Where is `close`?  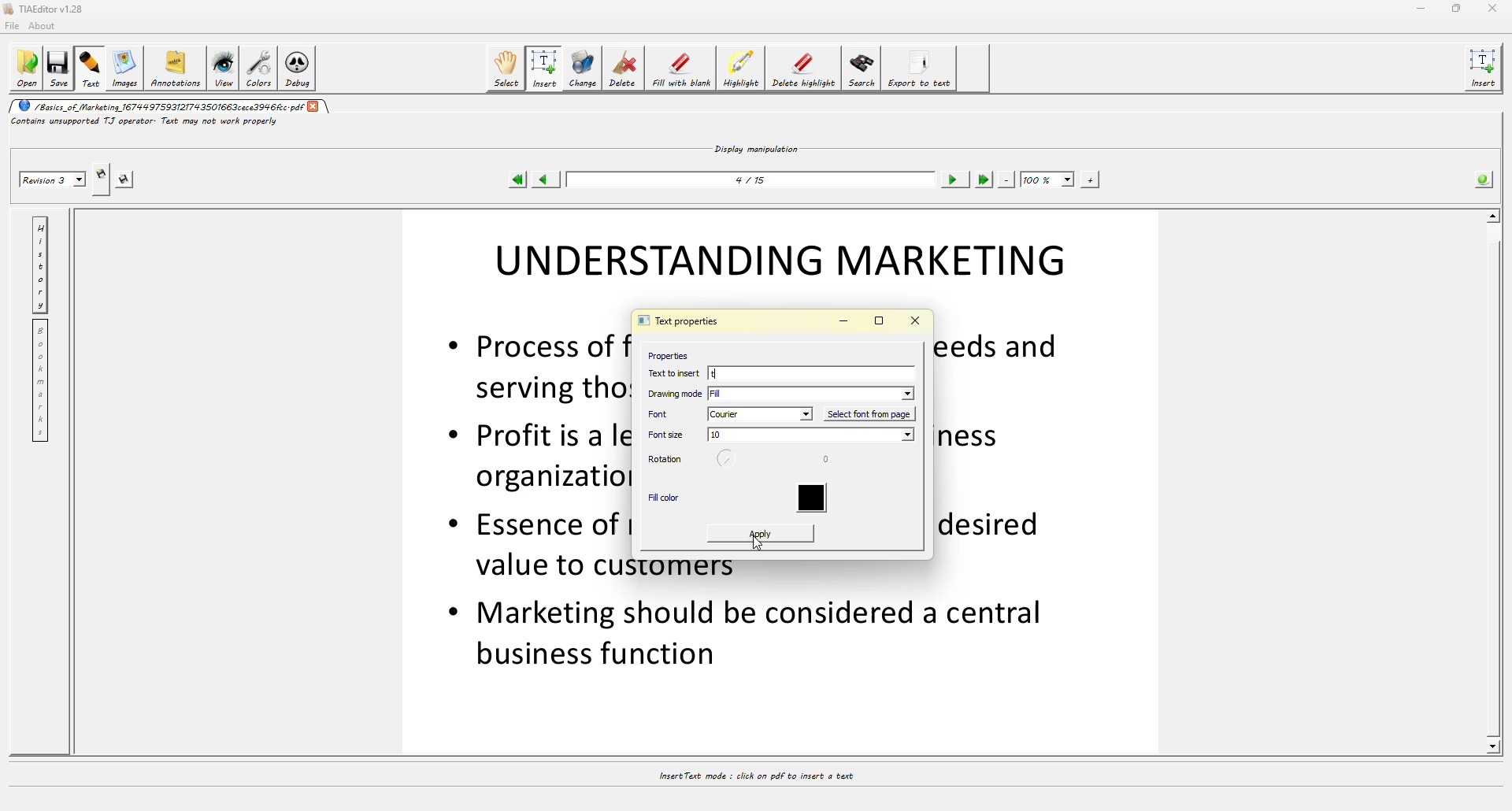 close is located at coordinates (917, 320).